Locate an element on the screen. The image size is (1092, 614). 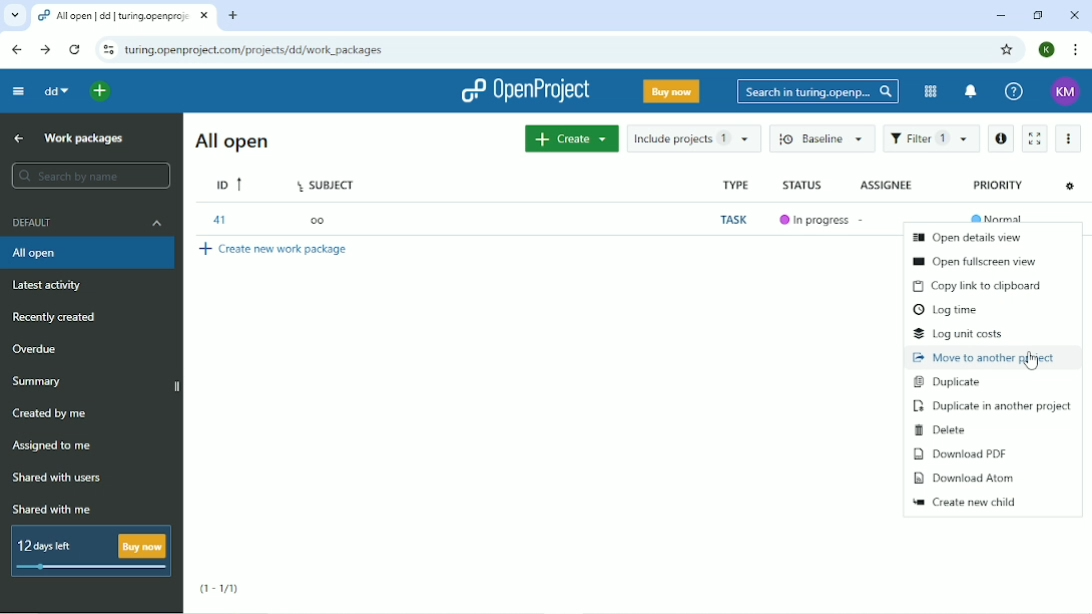
In progress is located at coordinates (813, 221).